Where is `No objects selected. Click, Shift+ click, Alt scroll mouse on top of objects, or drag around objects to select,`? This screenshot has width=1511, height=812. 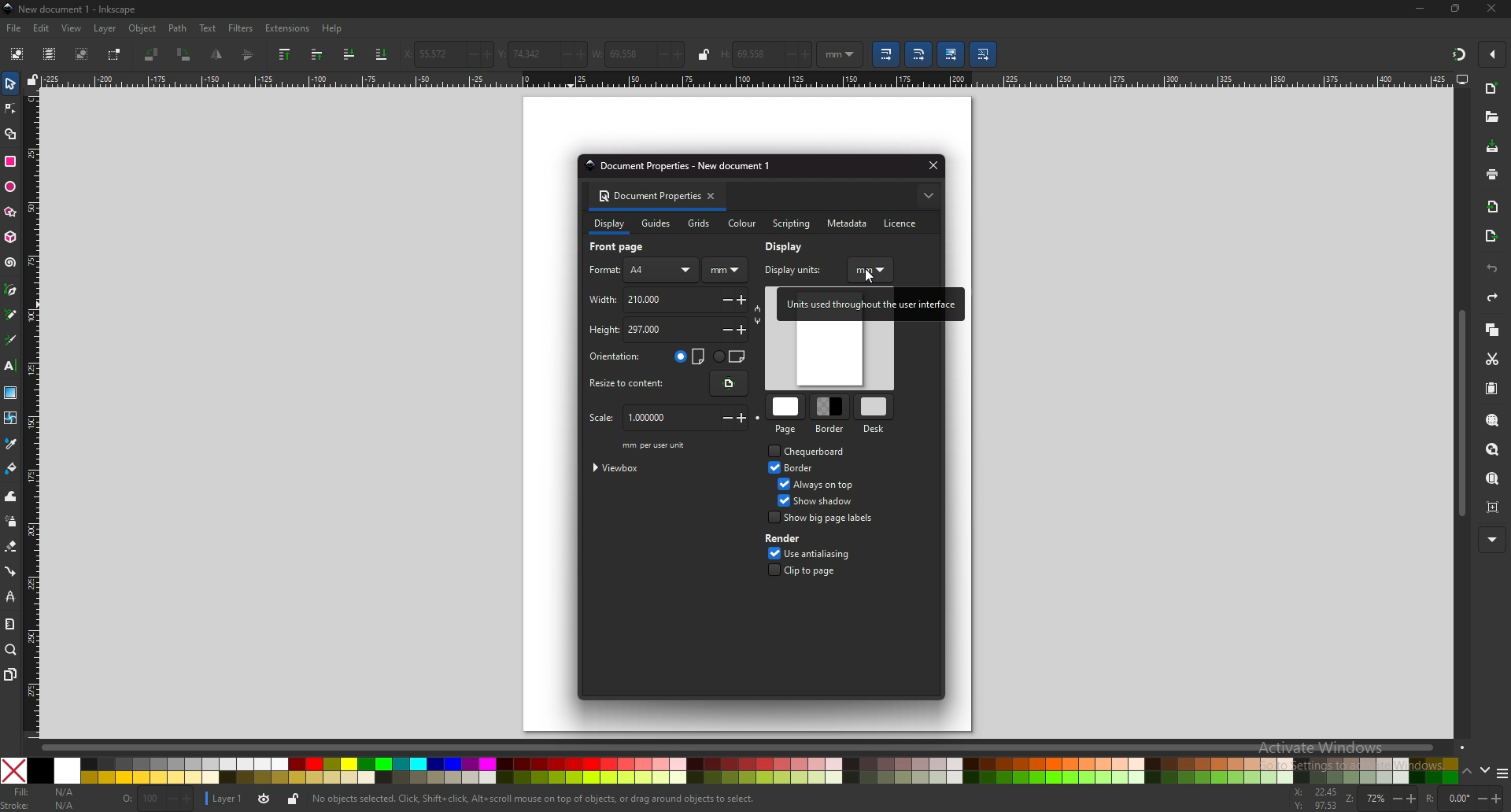 No objects selected. Click, Shift+ click, Alt scroll mouse on top of objects, or drag around objects to select, is located at coordinates (549, 799).